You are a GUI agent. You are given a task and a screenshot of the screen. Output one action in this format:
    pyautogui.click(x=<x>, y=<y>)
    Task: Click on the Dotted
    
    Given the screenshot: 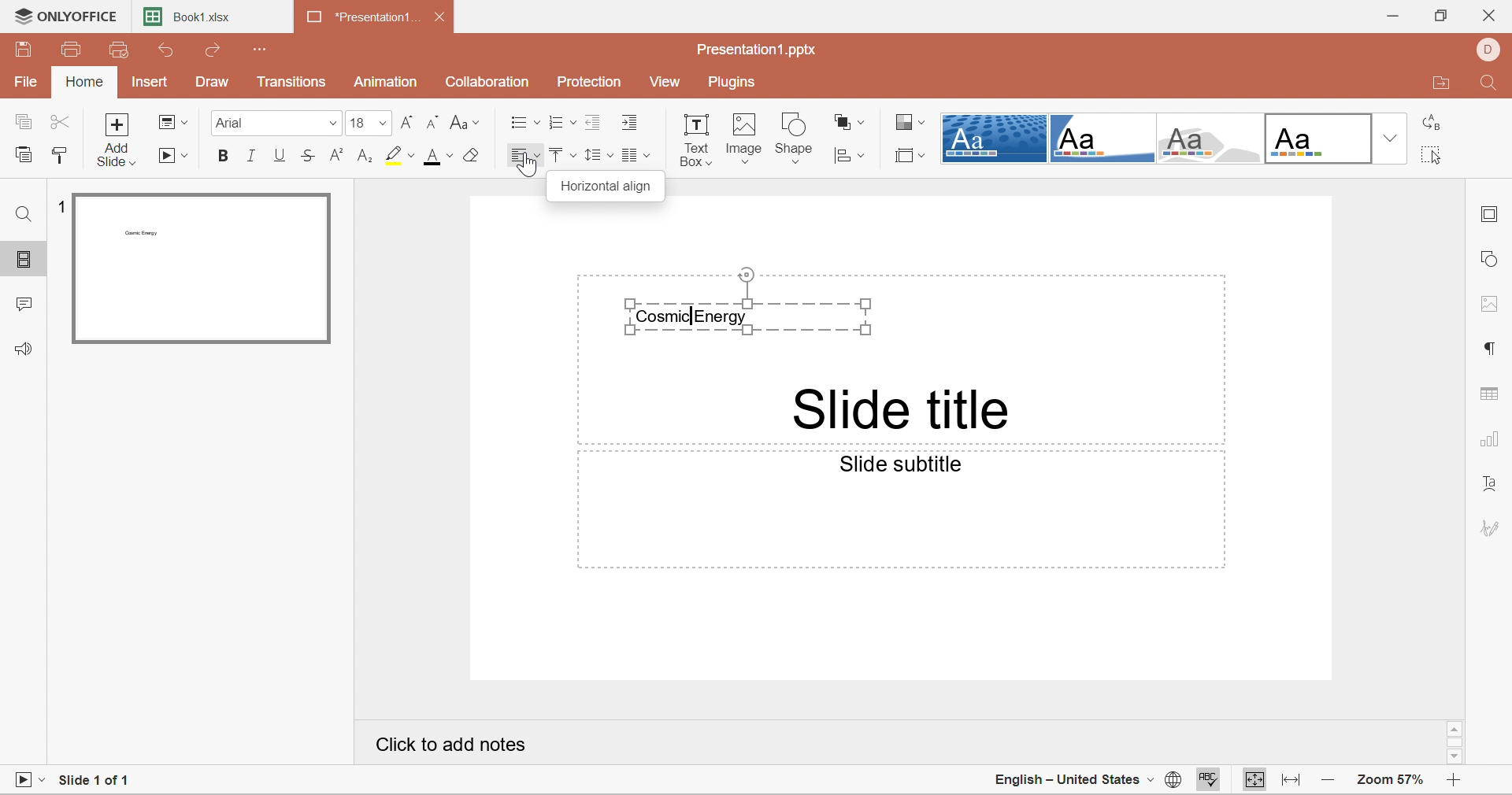 What is the action you would take?
    pyautogui.click(x=994, y=138)
    